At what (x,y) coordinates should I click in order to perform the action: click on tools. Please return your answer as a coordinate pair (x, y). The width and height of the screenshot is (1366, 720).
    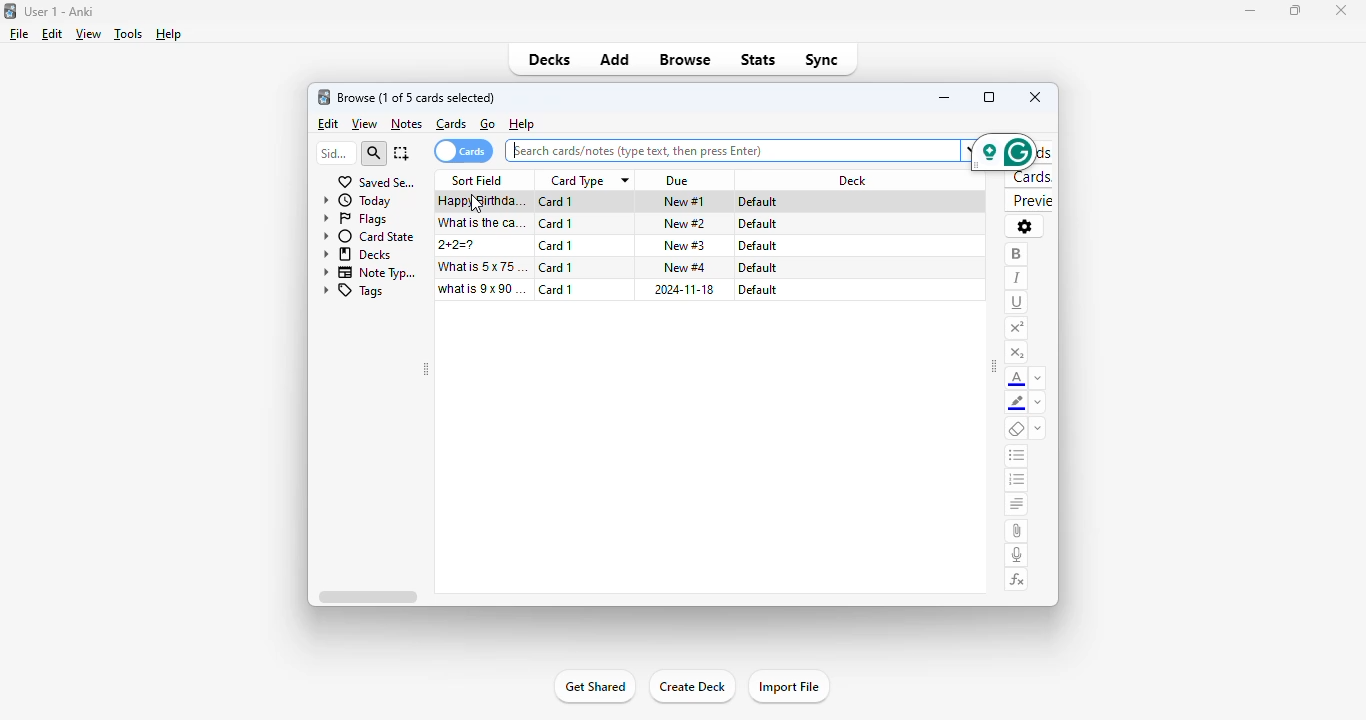
    Looking at the image, I should click on (128, 35).